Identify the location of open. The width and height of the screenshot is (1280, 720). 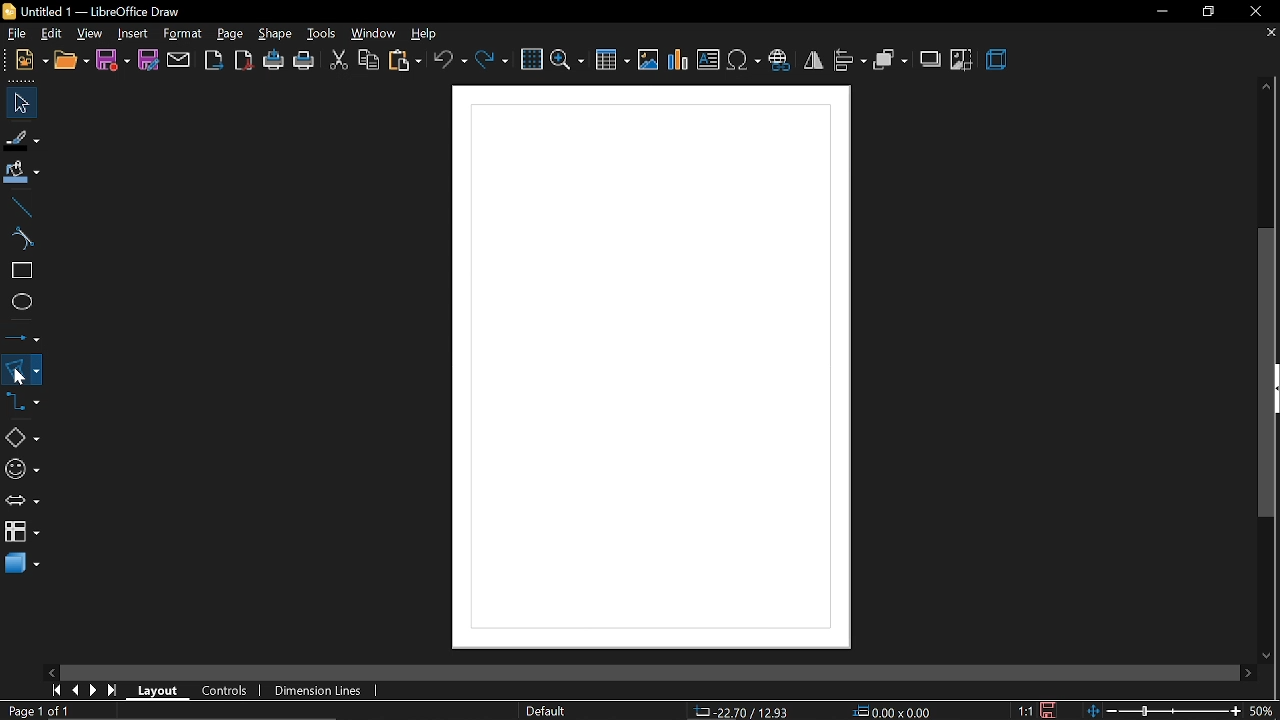
(70, 61).